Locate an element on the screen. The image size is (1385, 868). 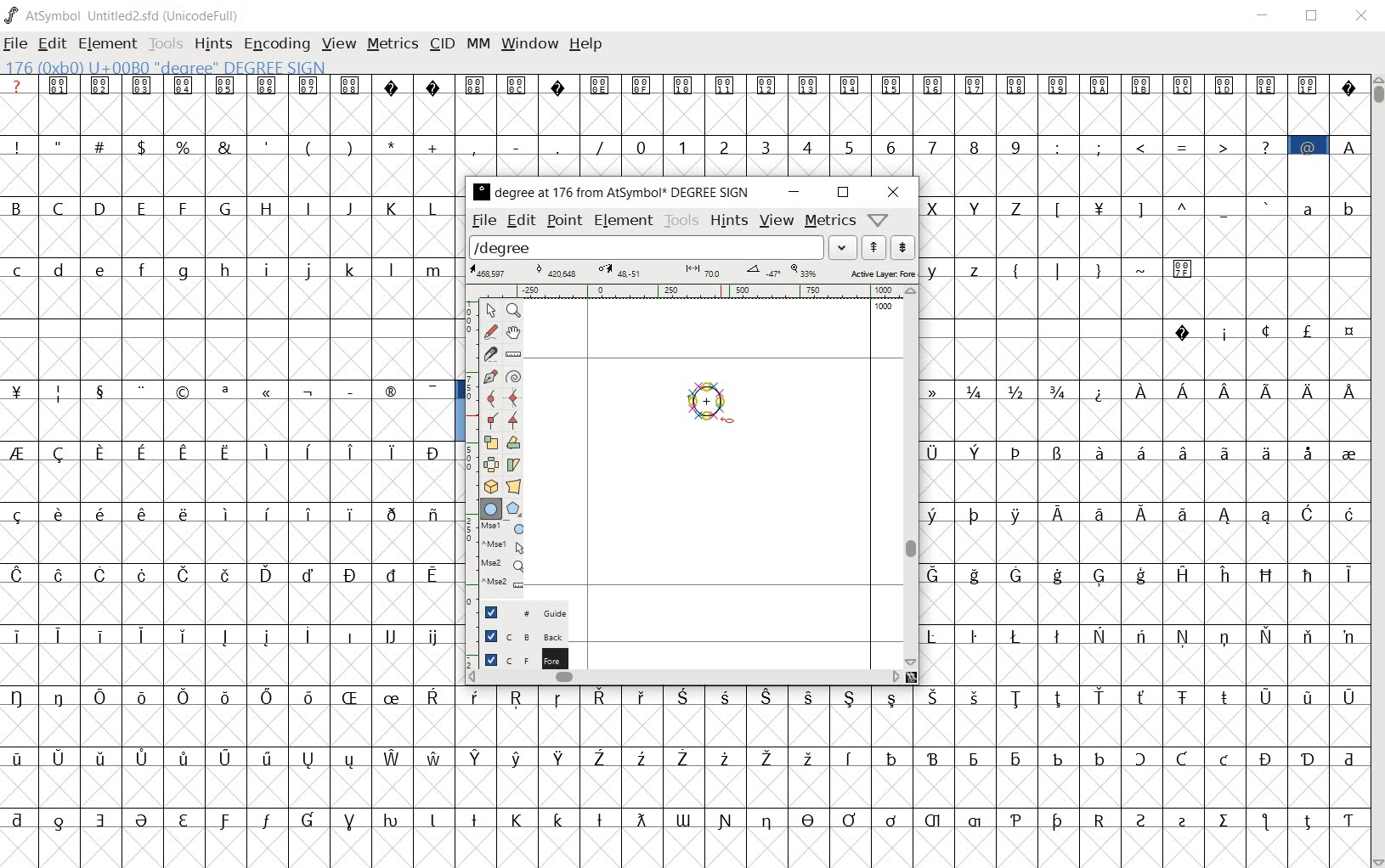
special characters is located at coordinates (229, 392).